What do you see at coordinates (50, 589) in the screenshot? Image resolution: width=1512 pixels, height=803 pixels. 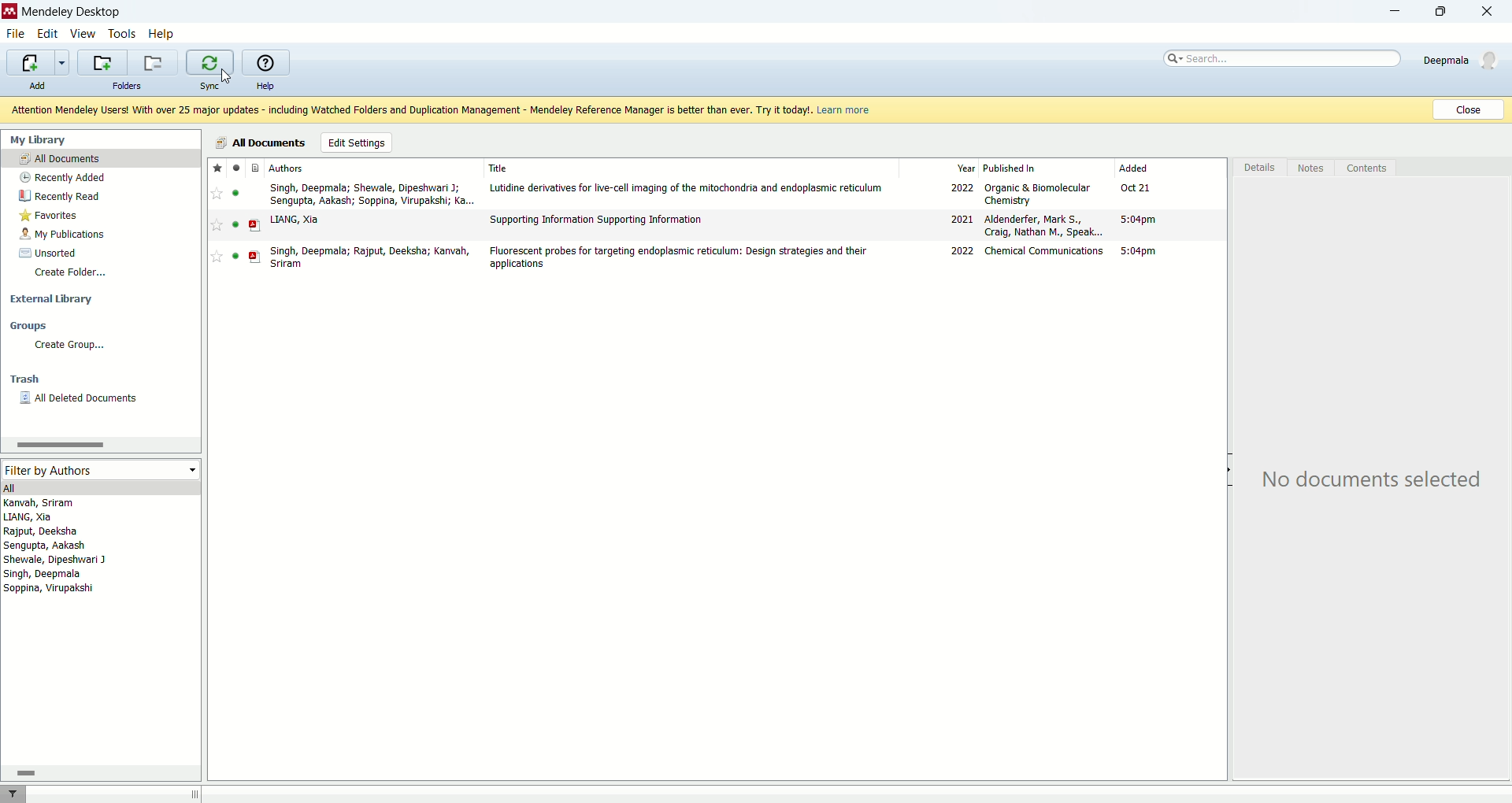 I see `Soppina, Virupakshi` at bounding box center [50, 589].